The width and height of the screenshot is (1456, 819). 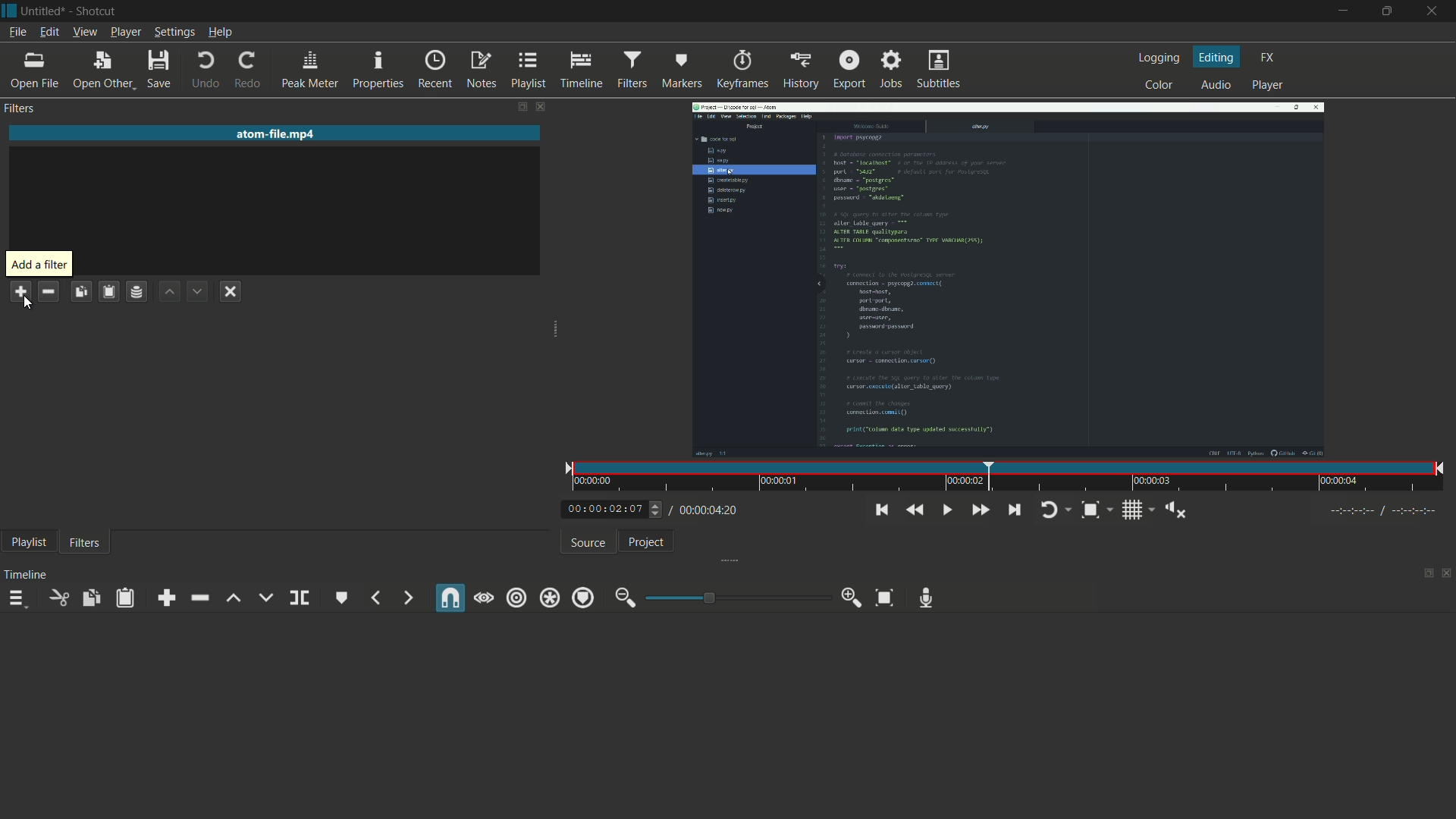 What do you see at coordinates (735, 597) in the screenshot?
I see `adjustment bar` at bounding box center [735, 597].